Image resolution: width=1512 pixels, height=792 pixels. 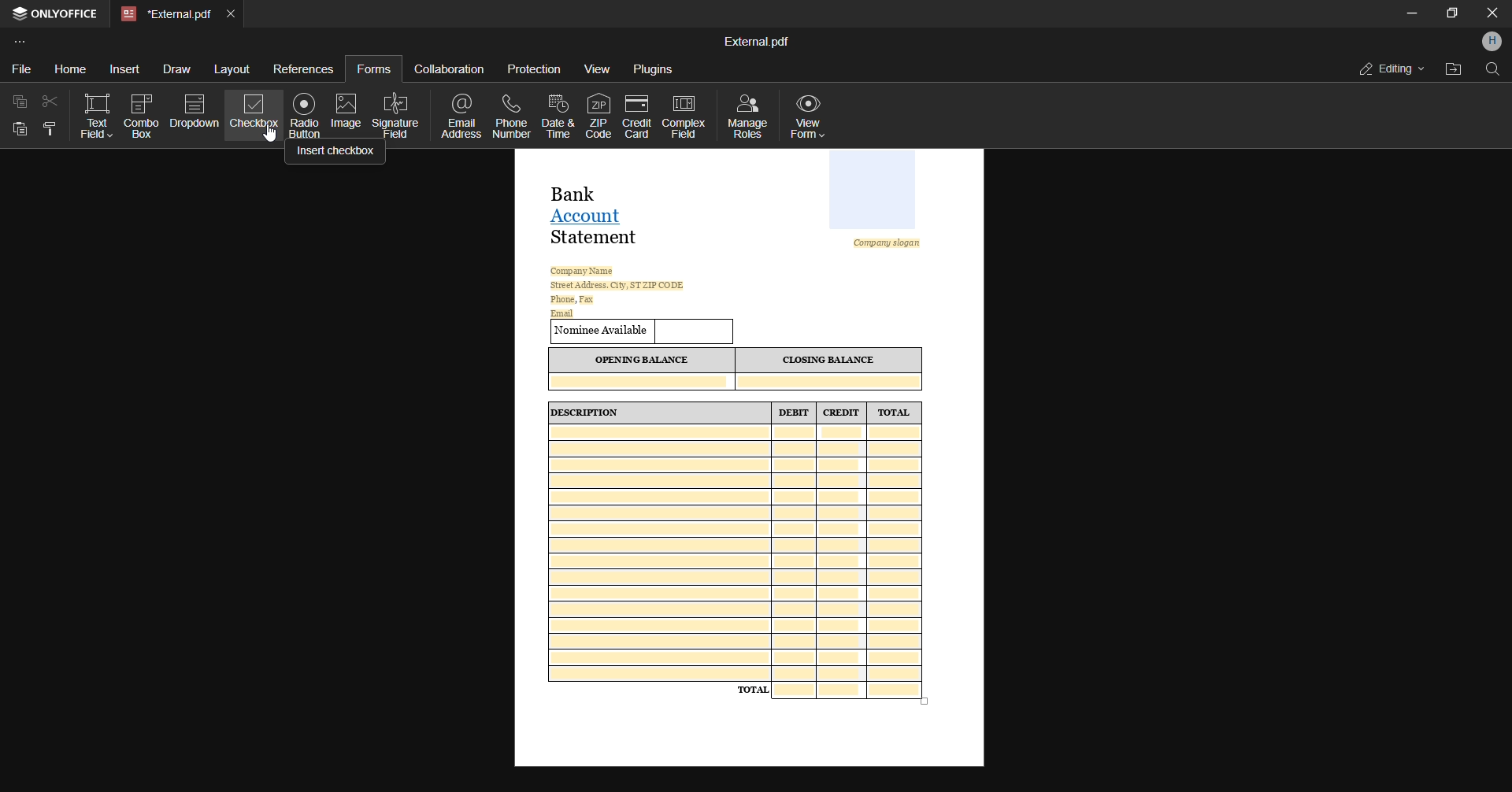 What do you see at coordinates (372, 68) in the screenshot?
I see `forms` at bounding box center [372, 68].